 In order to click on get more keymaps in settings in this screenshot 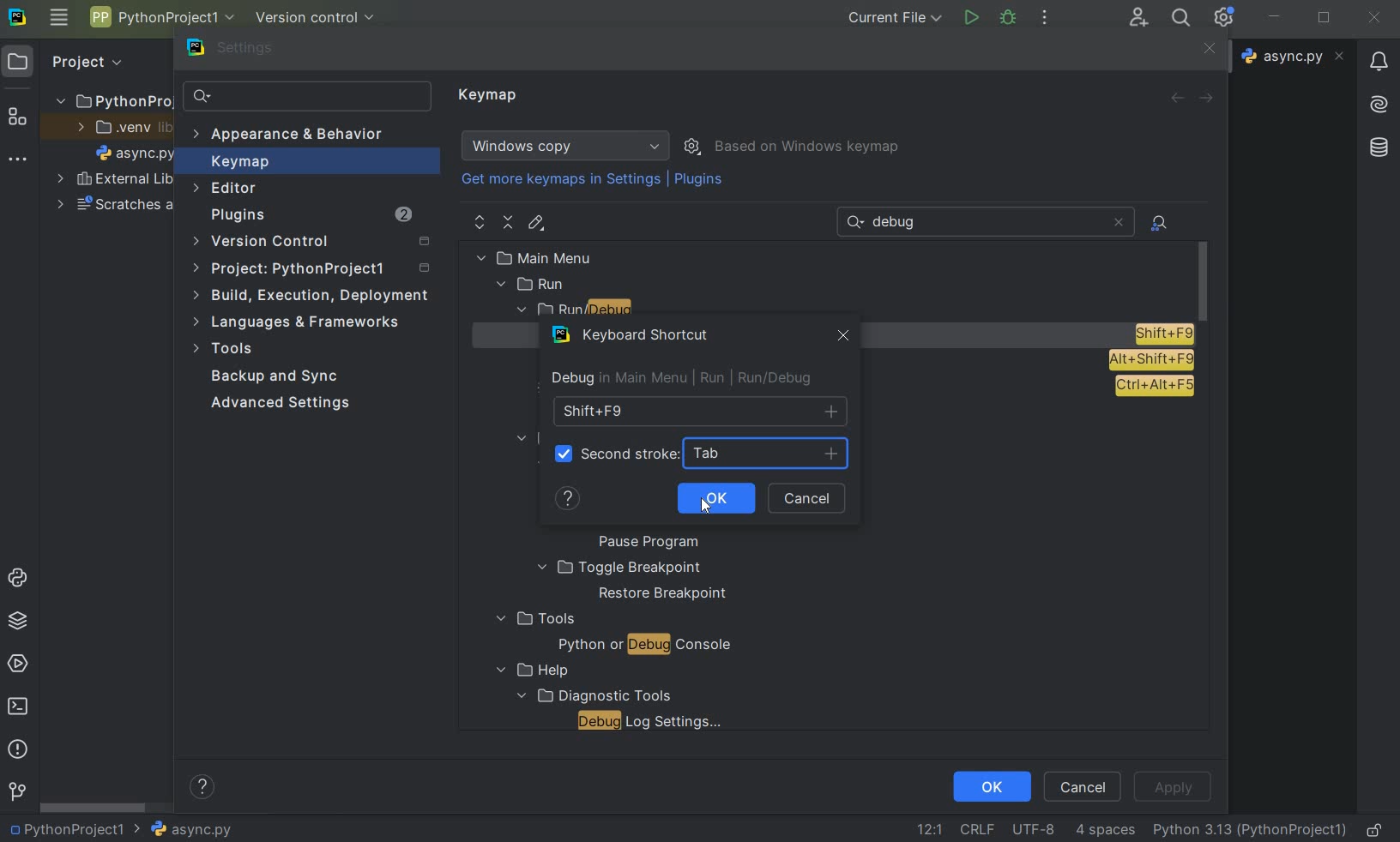, I will do `click(563, 182)`.